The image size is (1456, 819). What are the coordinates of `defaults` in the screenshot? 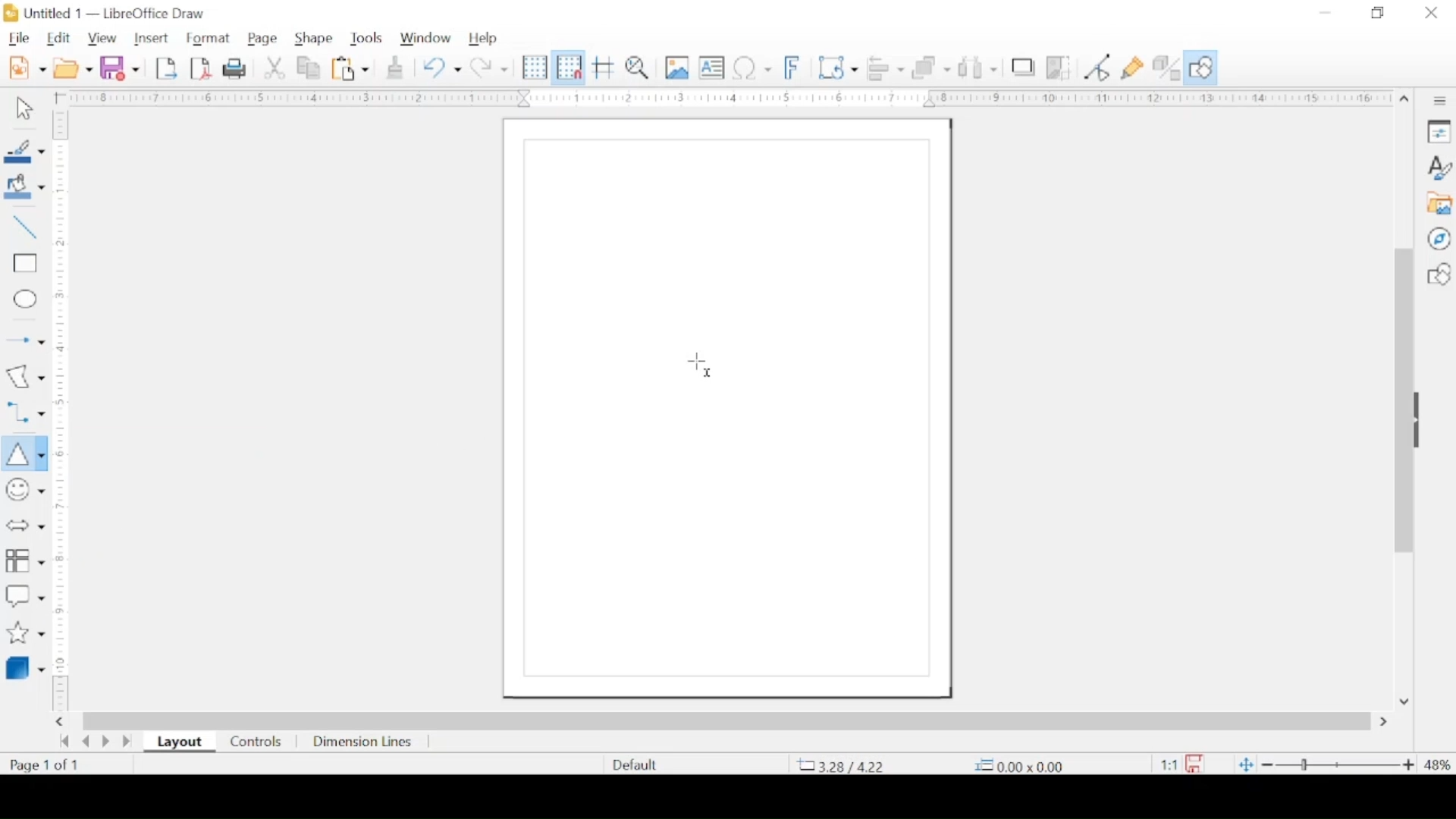 It's located at (633, 763).